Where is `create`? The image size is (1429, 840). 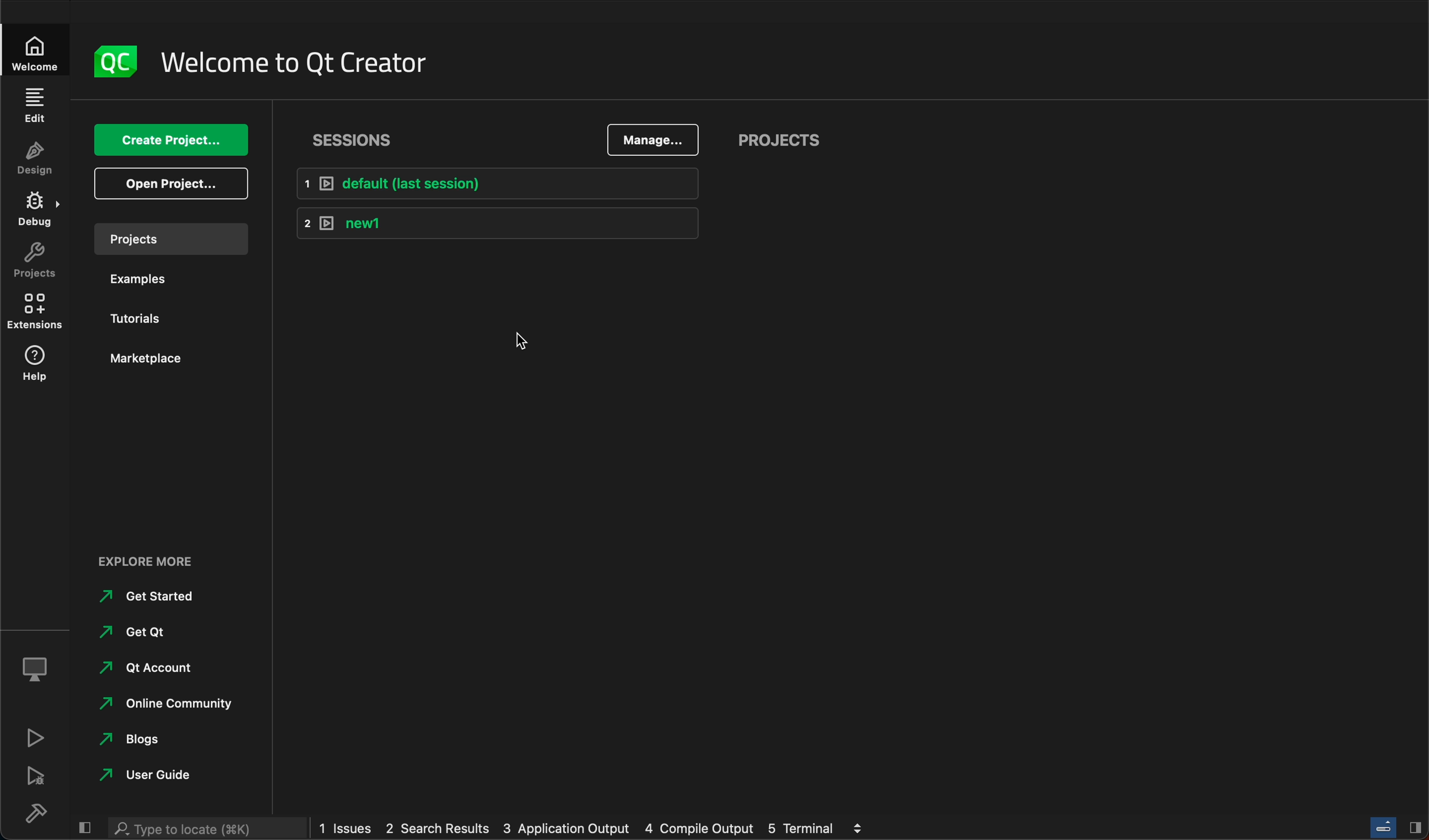 create is located at coordinates (175, 135).